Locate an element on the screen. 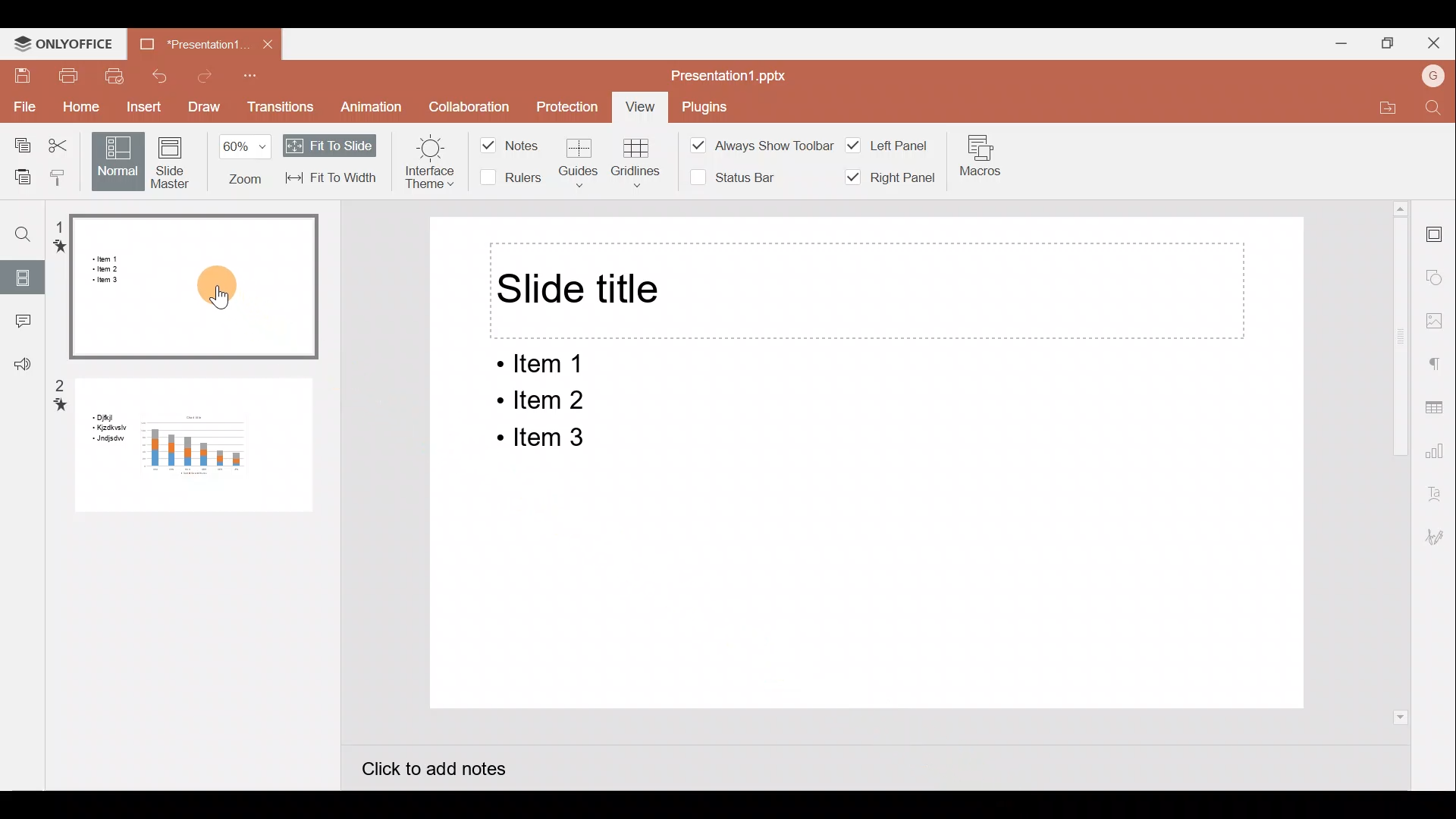 Image resolution: width=1456 pixels, height=819 pixels. ONLYOFFICE is located at coordinates (62, 42).